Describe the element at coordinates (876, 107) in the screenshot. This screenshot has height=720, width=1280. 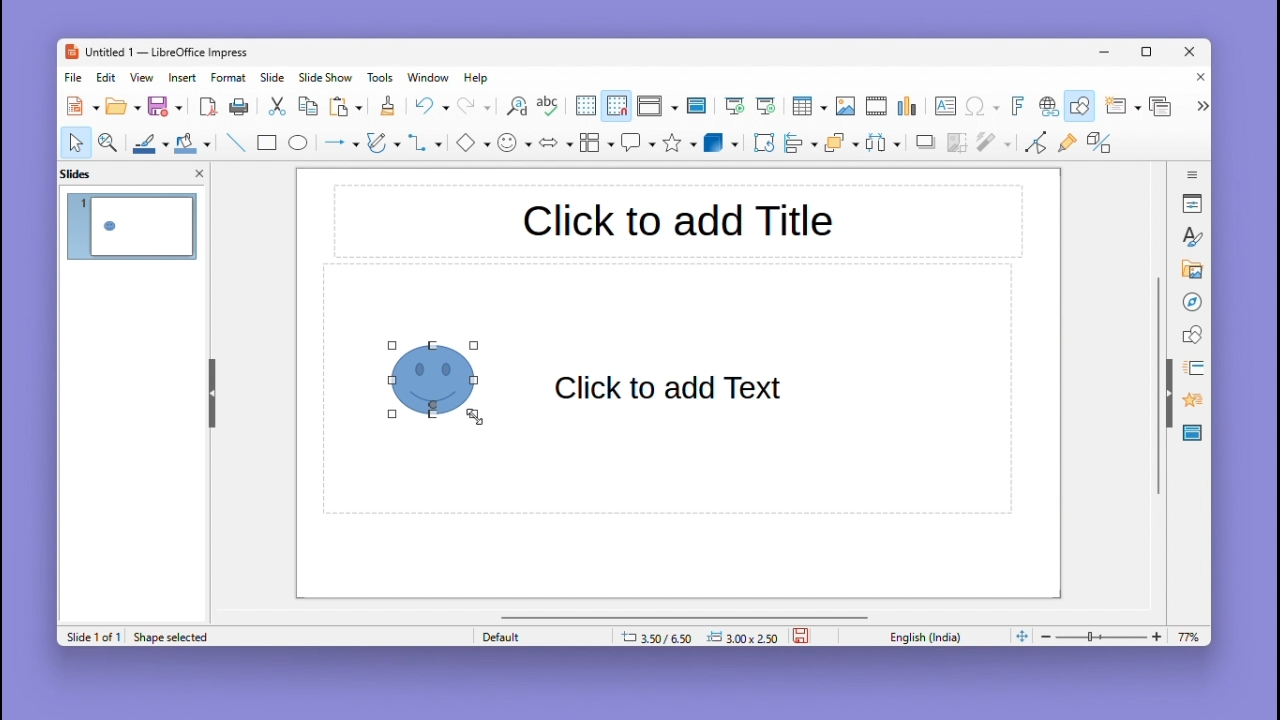
I see `Video` at that location.